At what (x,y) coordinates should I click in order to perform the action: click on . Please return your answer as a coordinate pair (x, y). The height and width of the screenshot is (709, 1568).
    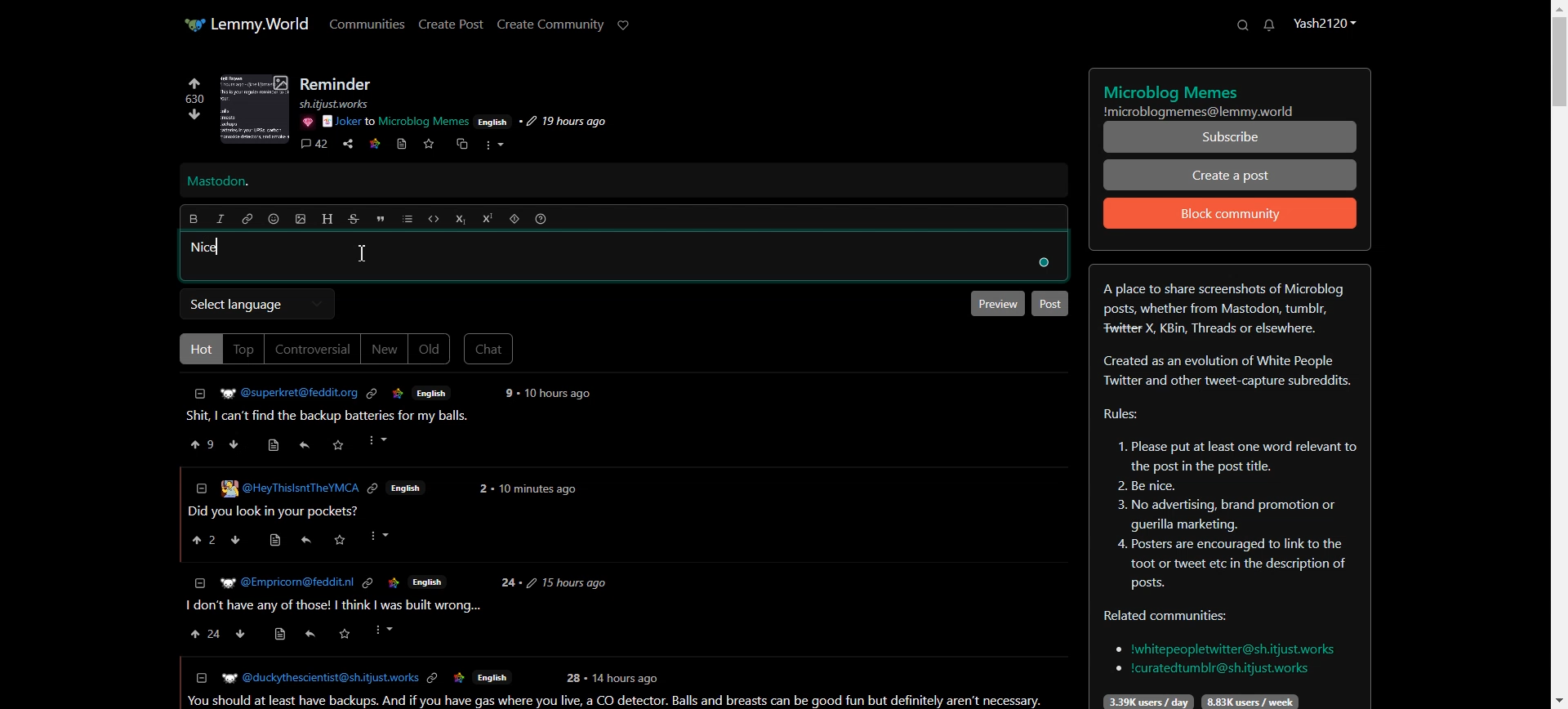
    Looking at the image, I should click on (506, 393).